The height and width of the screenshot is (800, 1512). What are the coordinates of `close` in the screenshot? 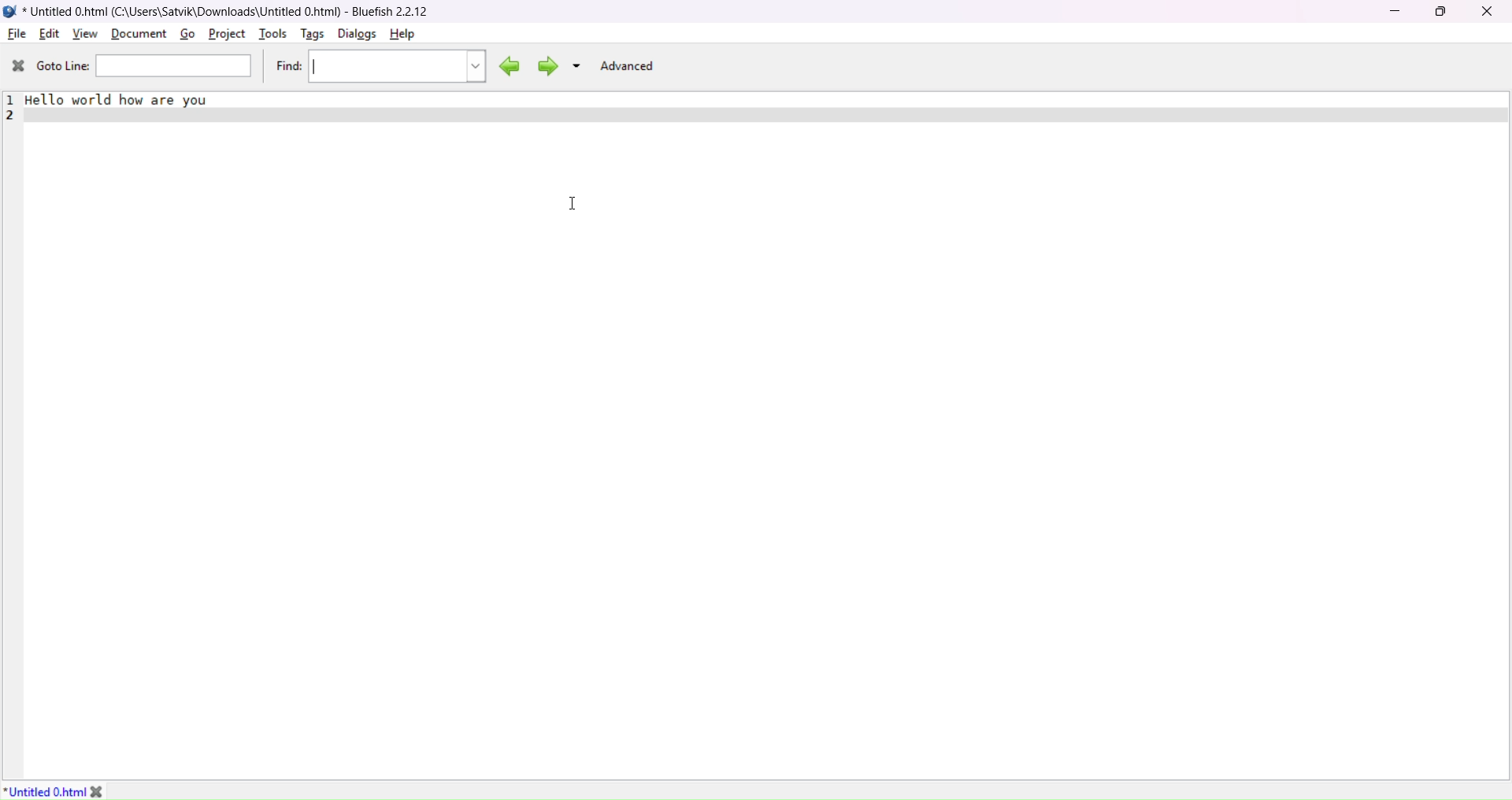 It's located at (1487, 12).